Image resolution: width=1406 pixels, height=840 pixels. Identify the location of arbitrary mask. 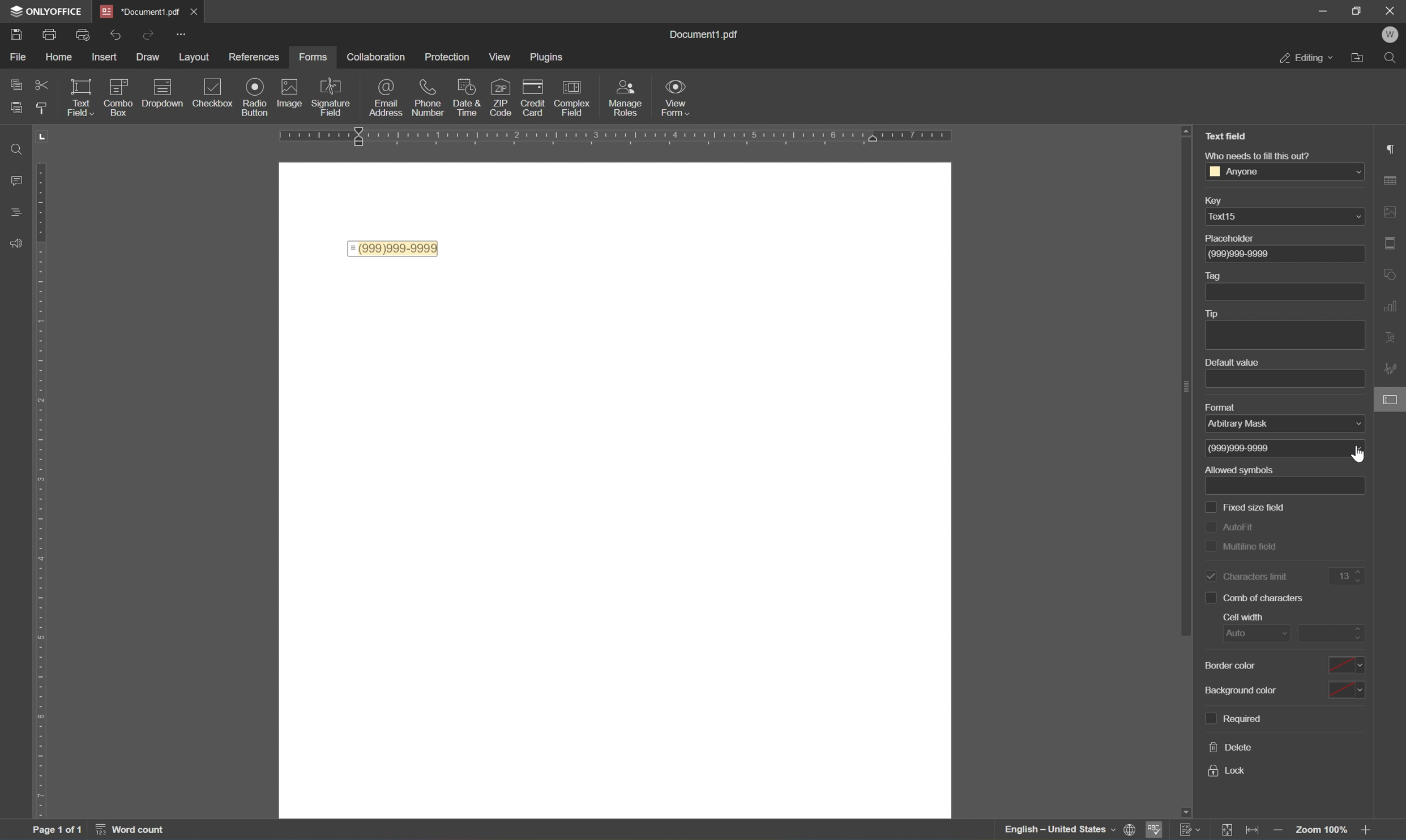
(1247, 426).